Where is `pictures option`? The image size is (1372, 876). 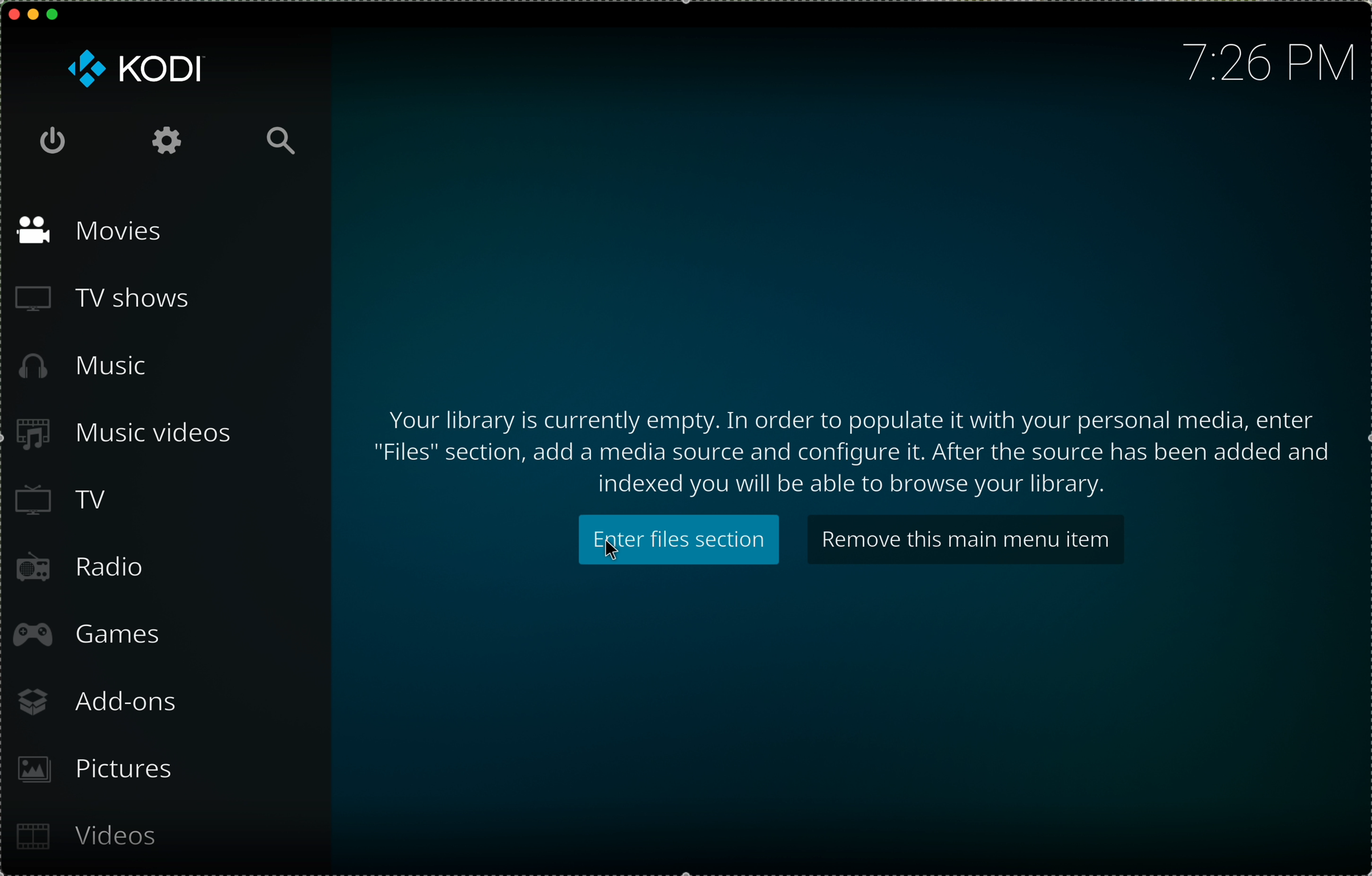
pictures option is located at coordinates (97, 772).